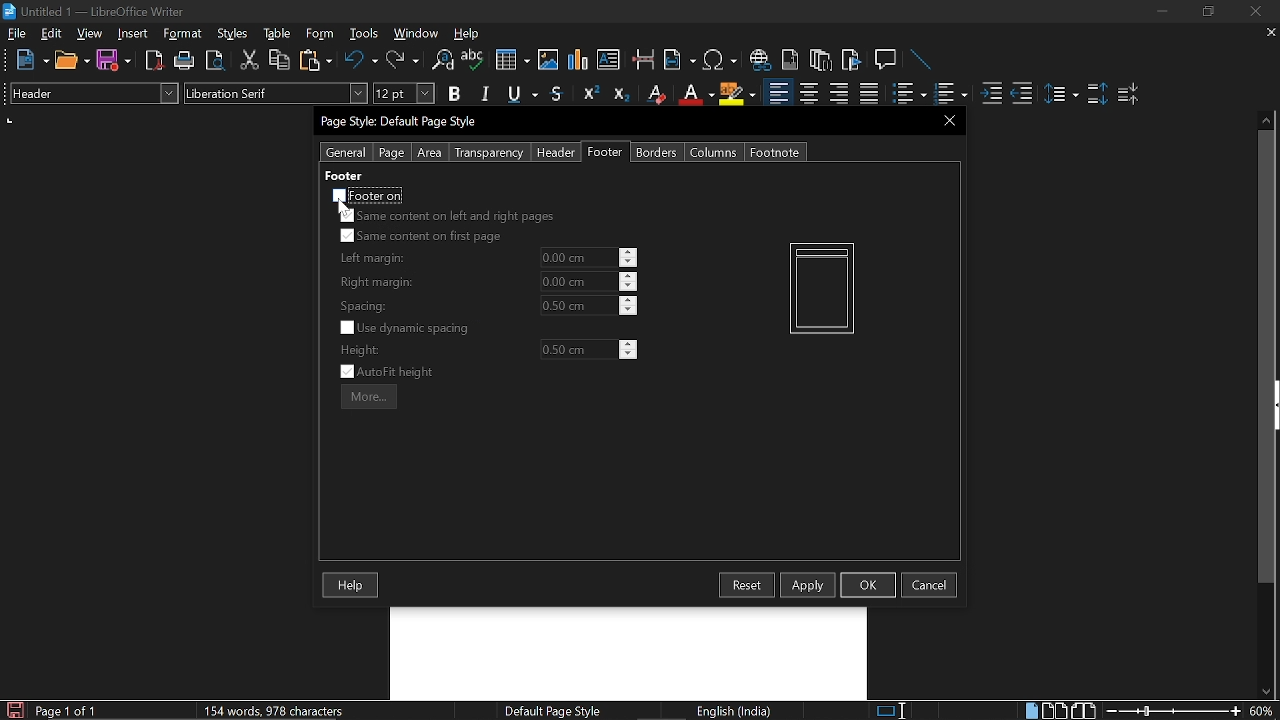 This screenshot has width=1280, height=720. What do you see at coordinates (352, 586) in the screenshot?
I see `Help` at bounding box center [352, 586].